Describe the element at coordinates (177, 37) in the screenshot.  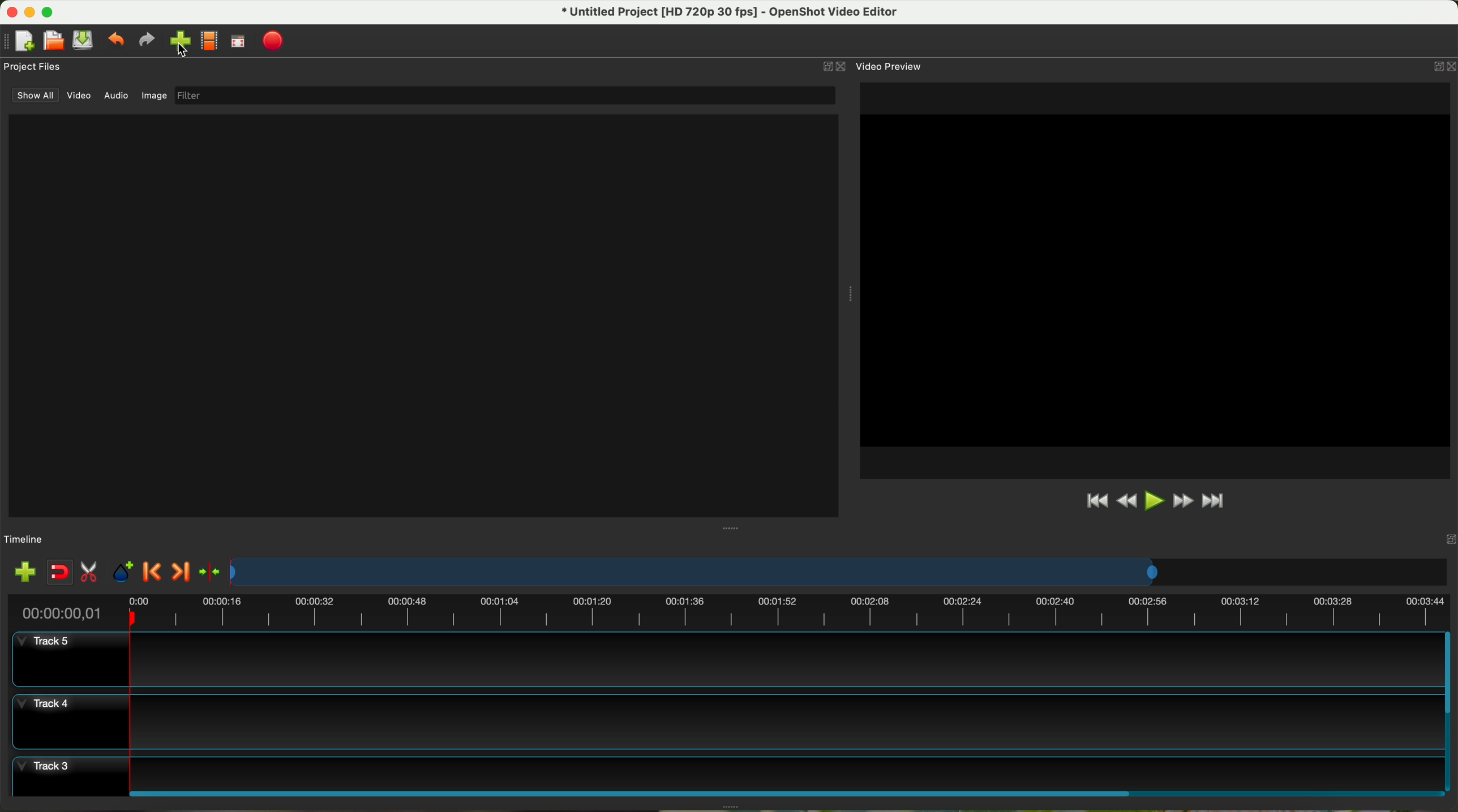
I see `click on import file` at that location.